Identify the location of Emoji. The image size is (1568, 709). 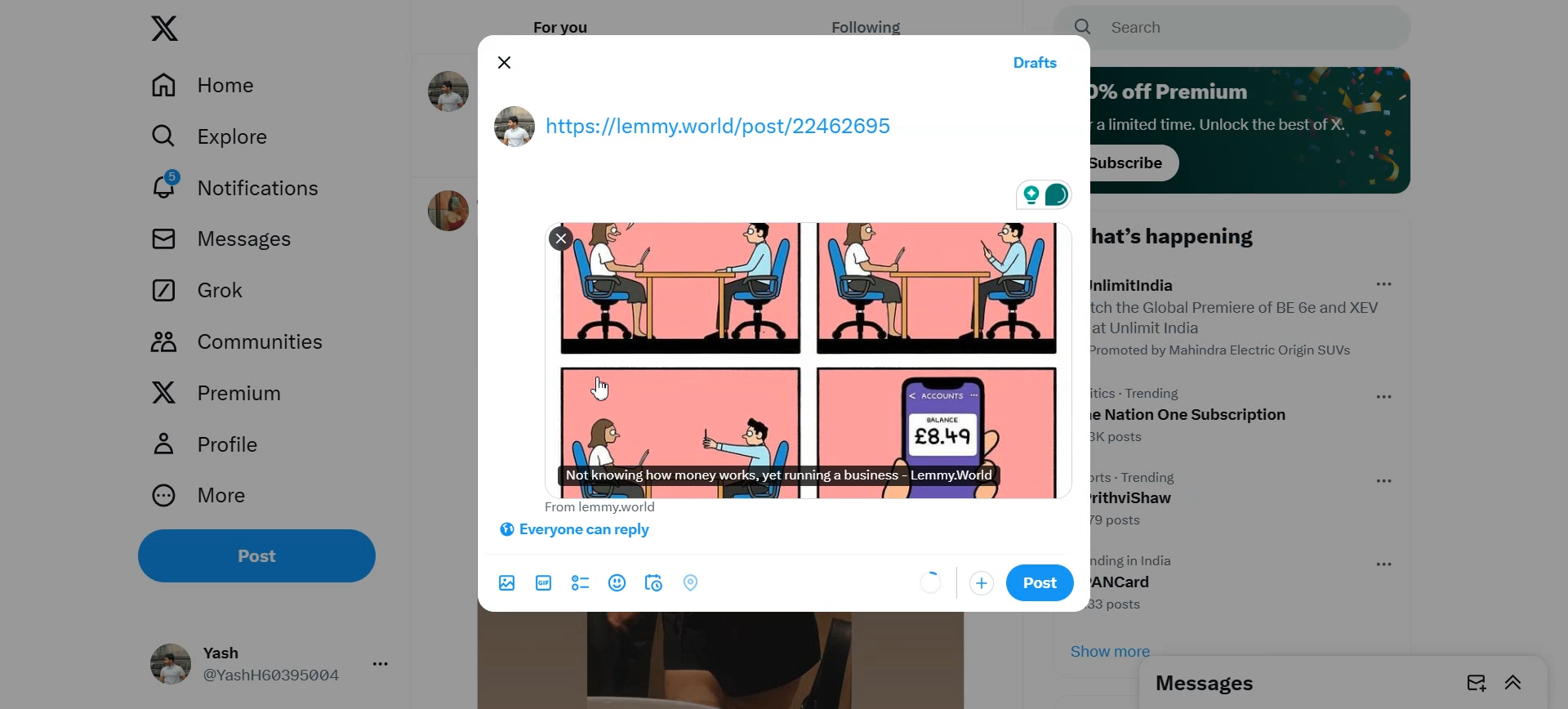
(616, 583).